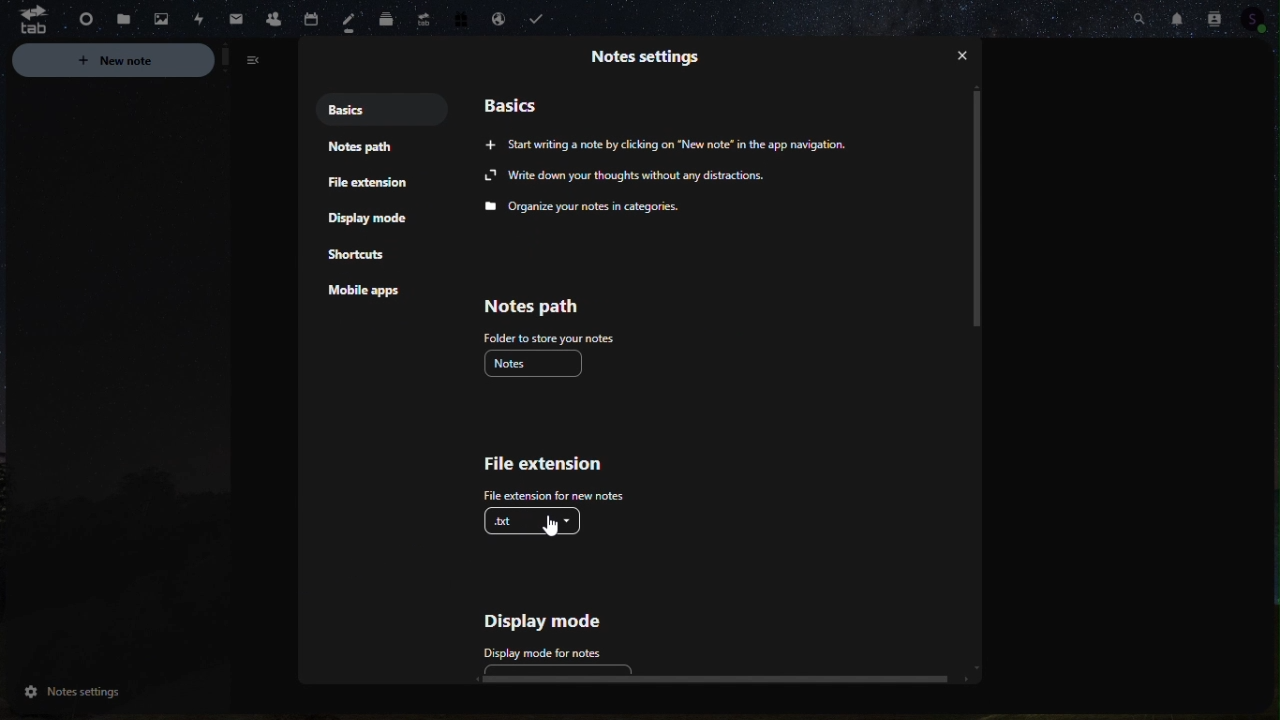 Image resolution: width=1280 pixels, height=720 pixels. What do you see at coordinates (272, 16) in the screenshot?
I see `Contacts` at bounding box center [272, 16].